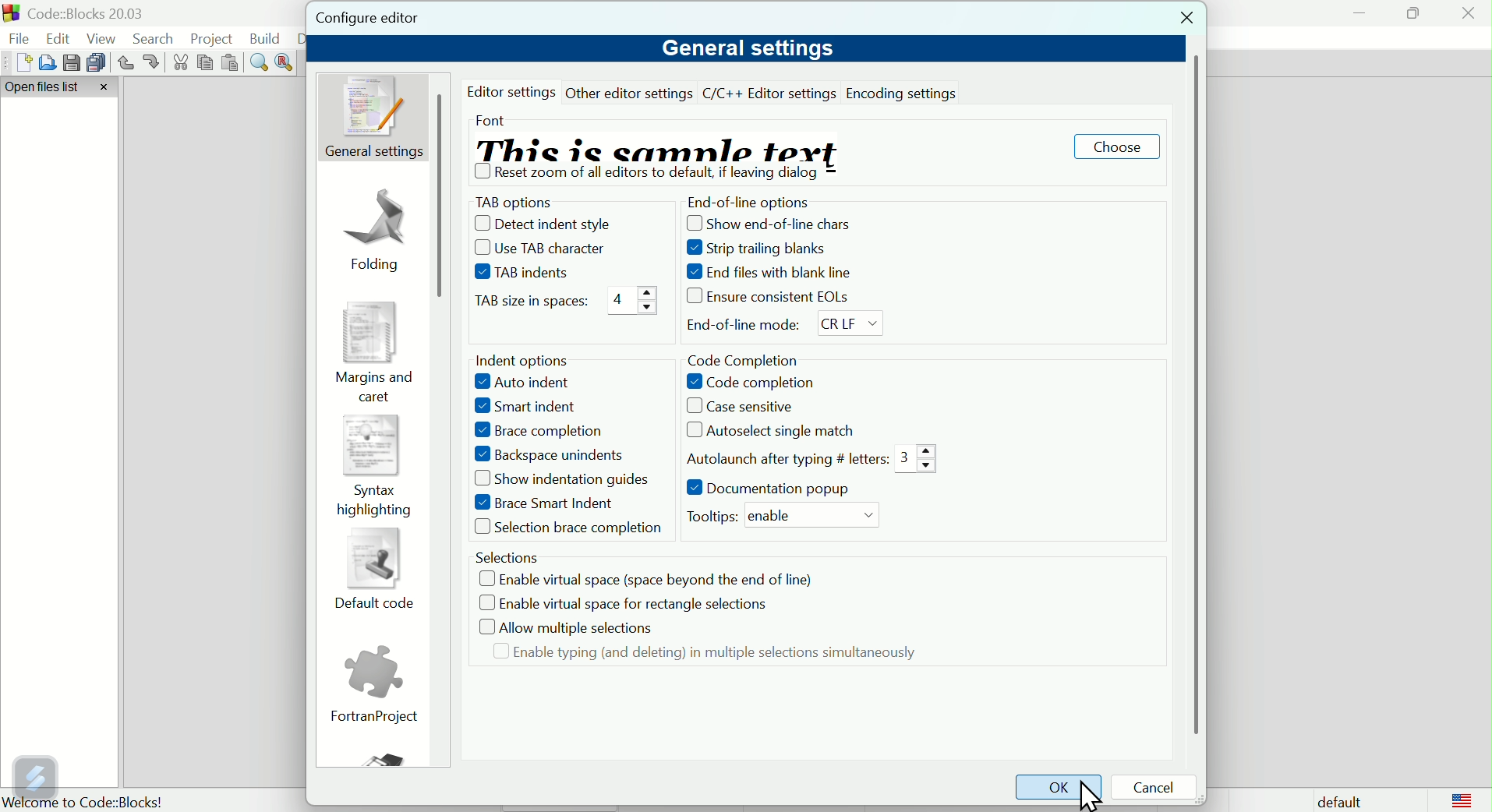 The width and height of the screenshot is (1492, 812). Describe the element at coordinates (1196, 396) in the screenshot. I see `scroll bar` at that location.